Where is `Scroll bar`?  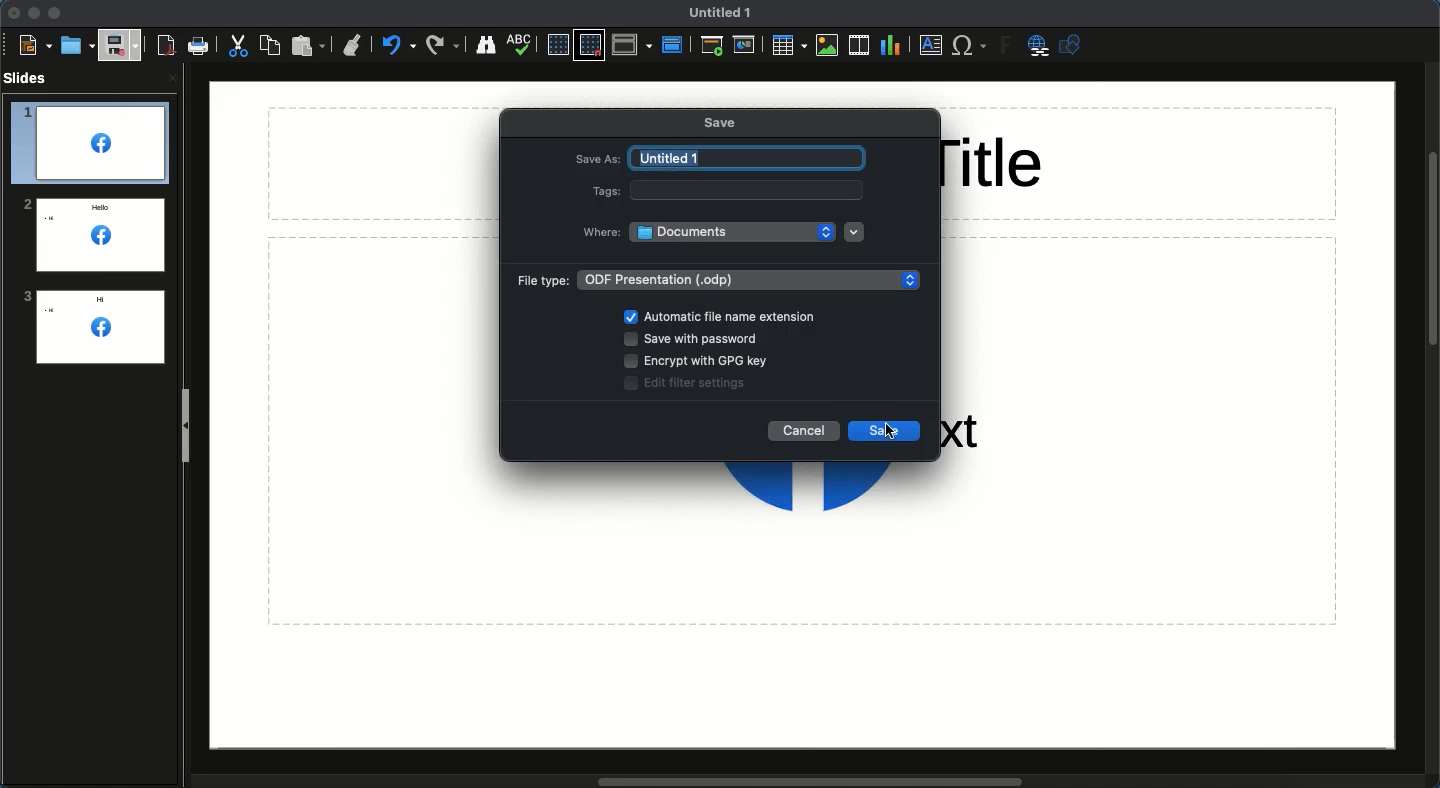 Scroll bar is located at coordinates (1431, 249).